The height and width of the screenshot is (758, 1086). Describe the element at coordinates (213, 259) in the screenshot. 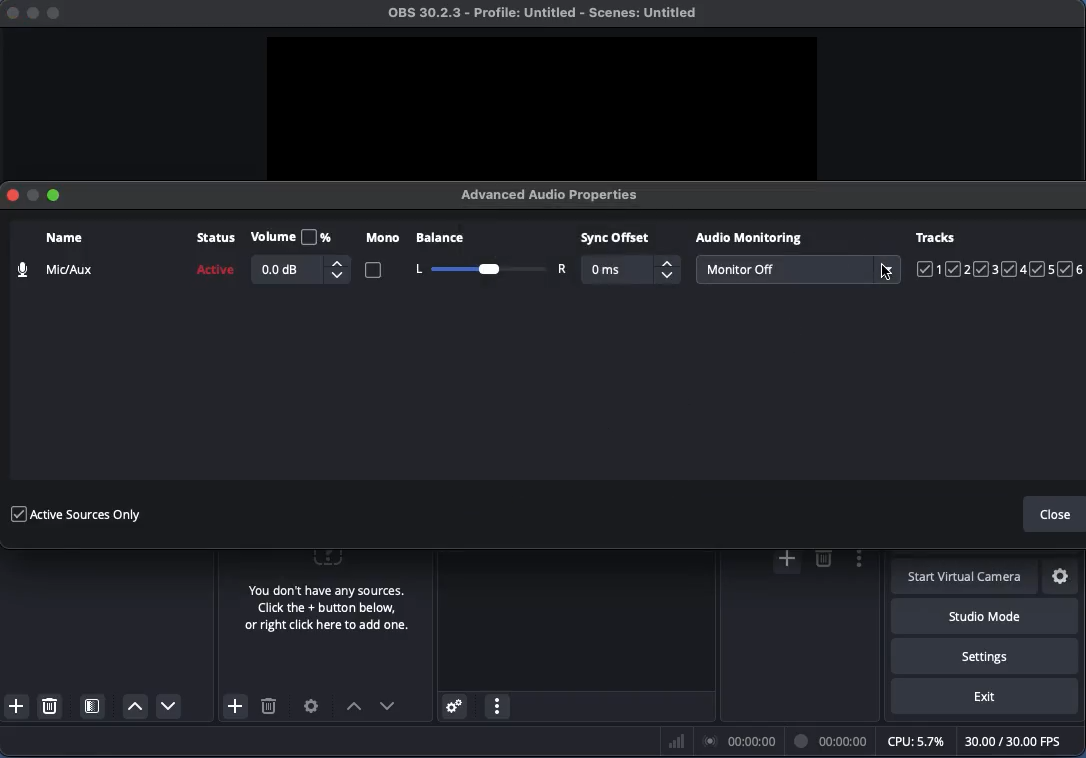

I see `Status` at that location.